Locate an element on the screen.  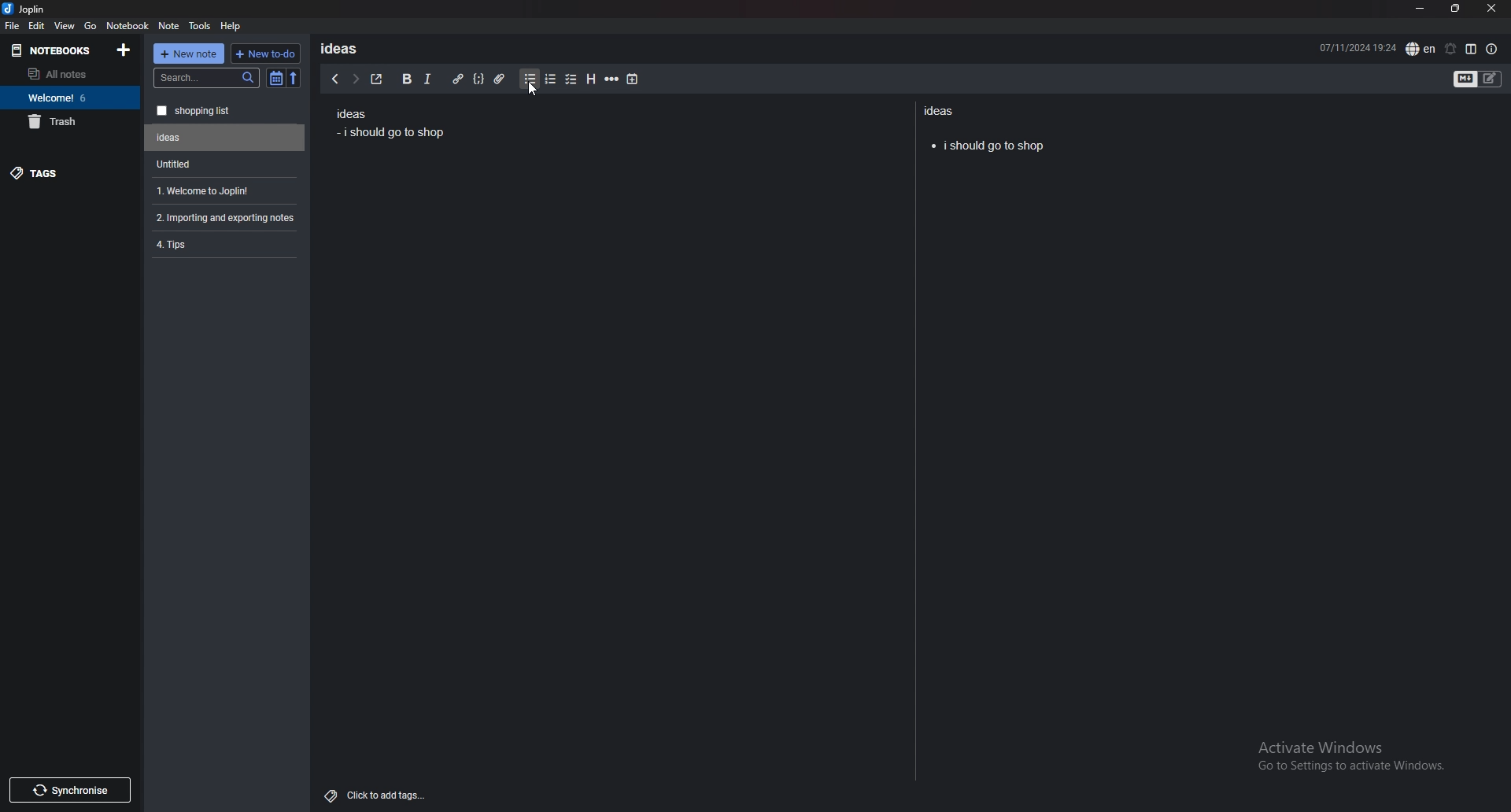
i should go to shop is located at coordinates (988, 143).